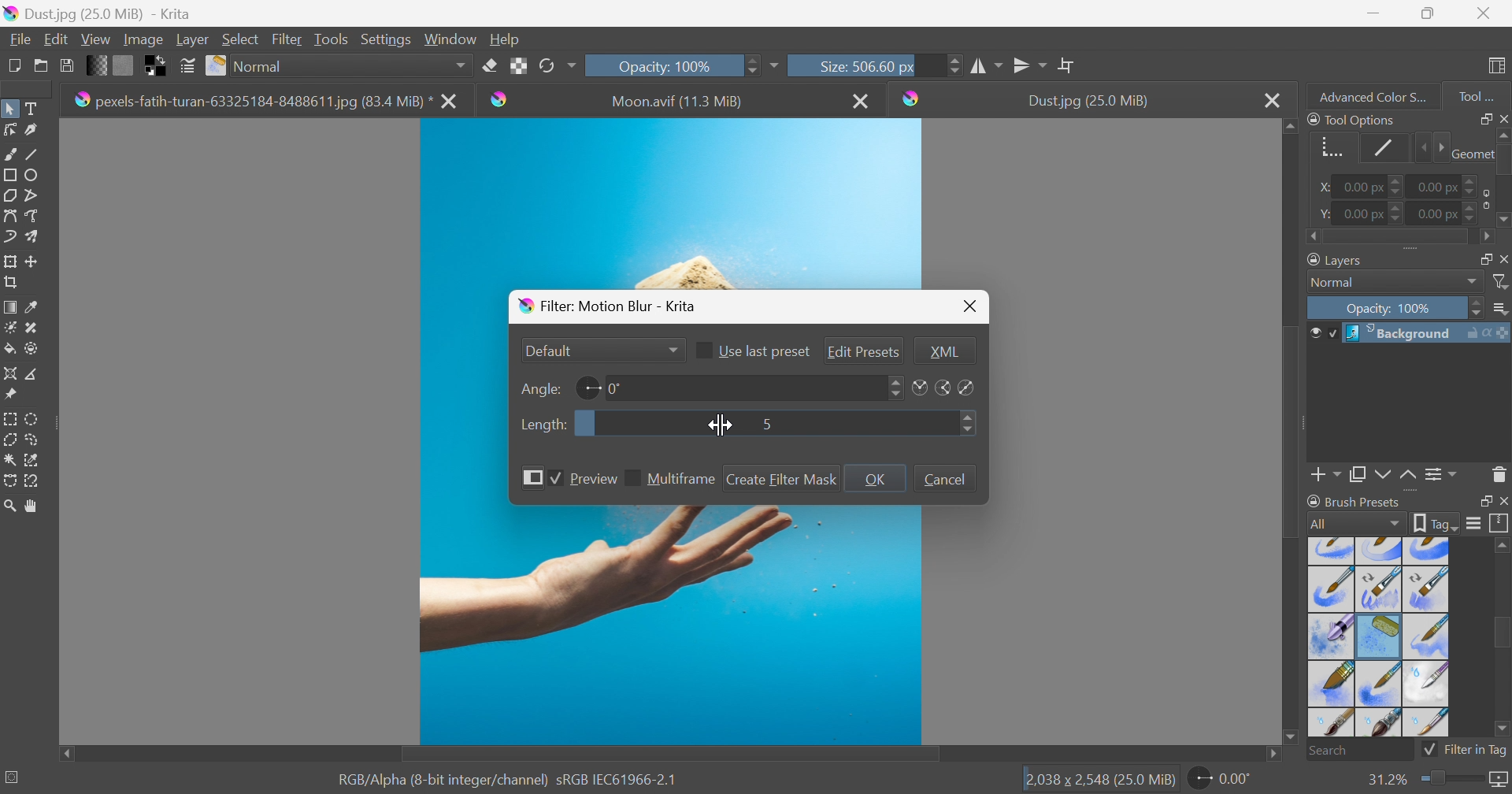 Image resolution: width=1512 pixels, height=794 pixels. Describe the element at coordinates (33, 375) in the screenshot. I see `Measure the distance between two points` at that location.